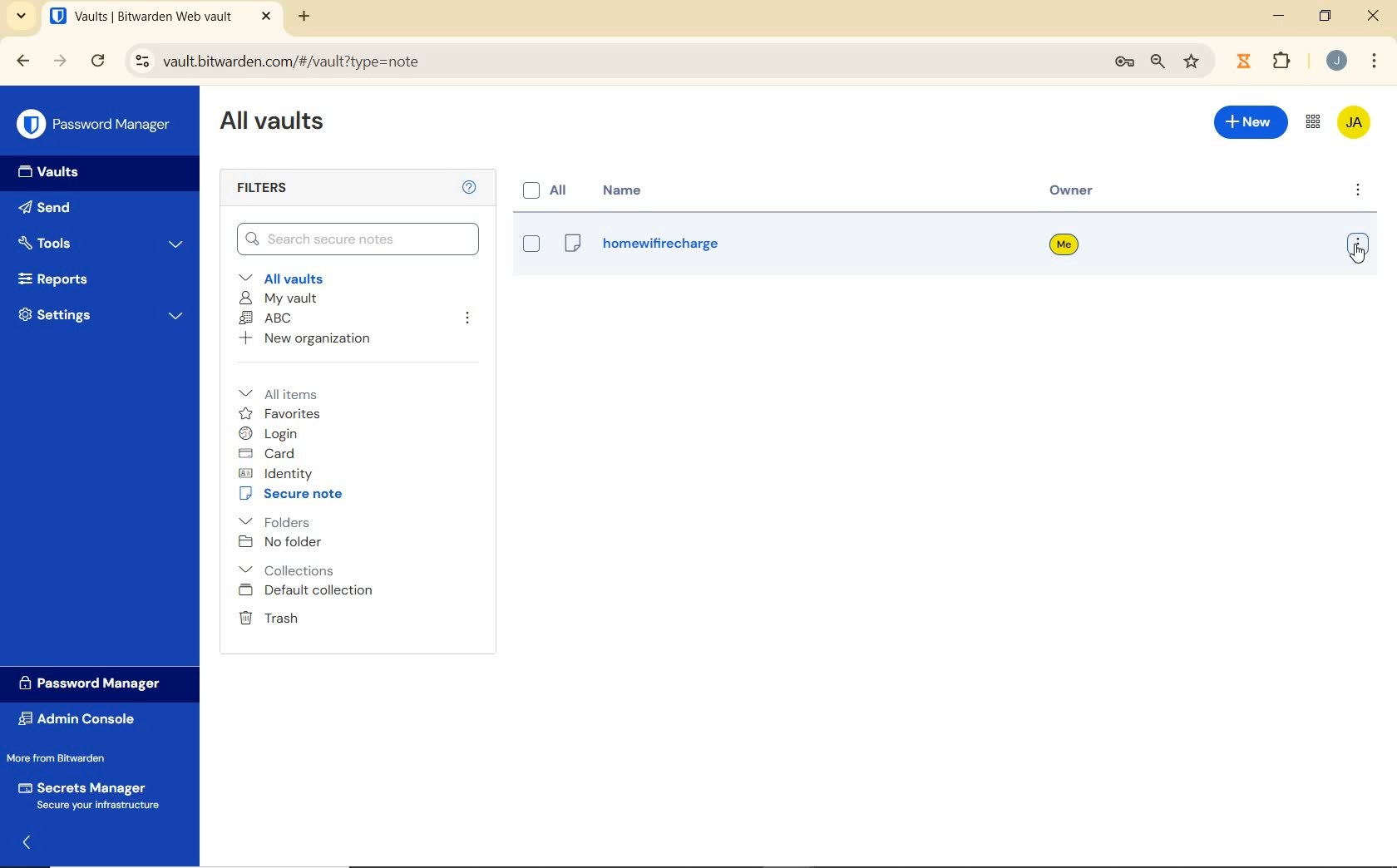  I want to click on minimize, so click(1279, 15).